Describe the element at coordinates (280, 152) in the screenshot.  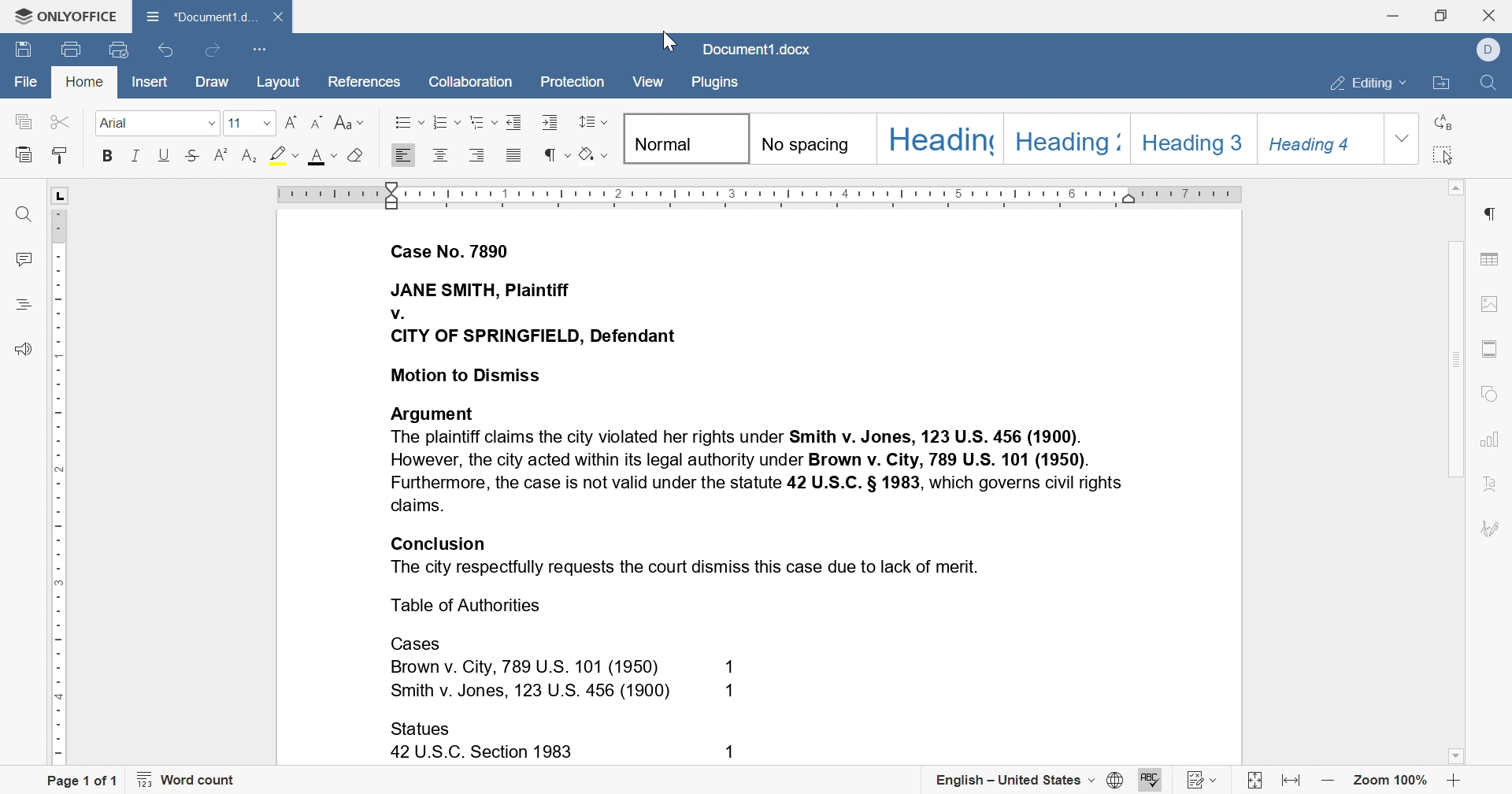
I see `highlight color` at that location.